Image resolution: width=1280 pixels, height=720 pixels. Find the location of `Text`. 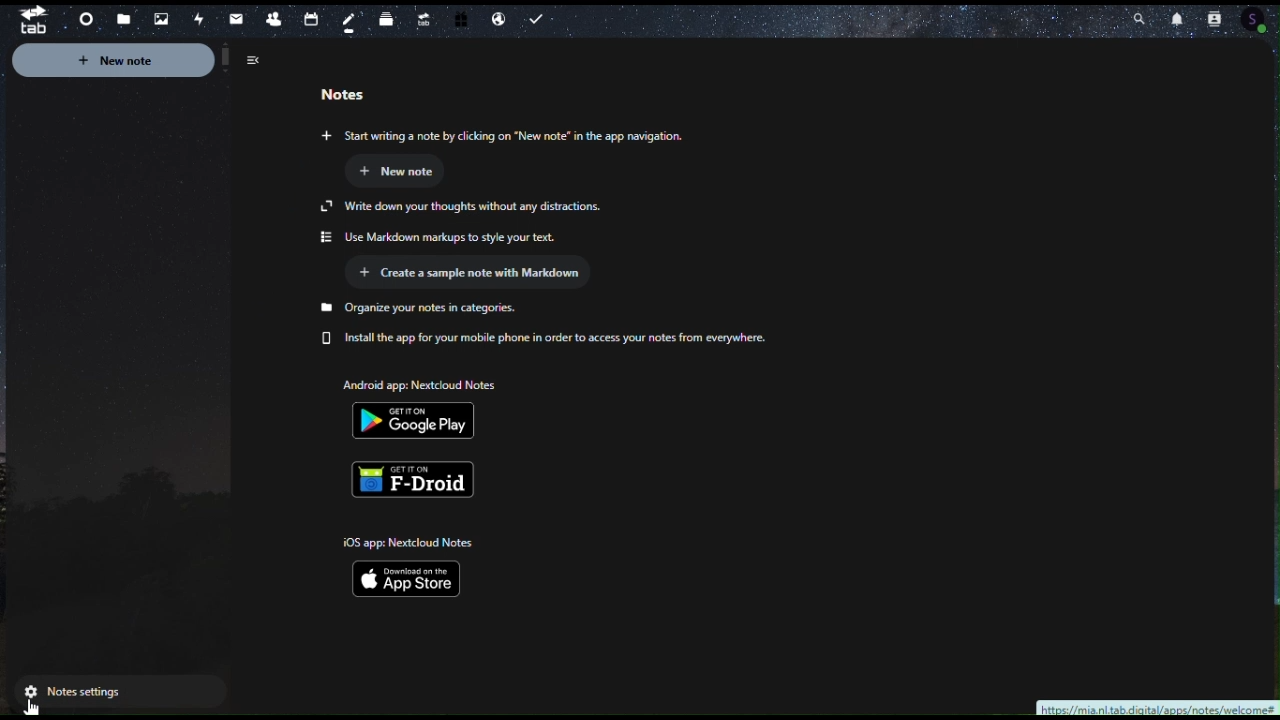

Text is located at coordinates (575, 326).